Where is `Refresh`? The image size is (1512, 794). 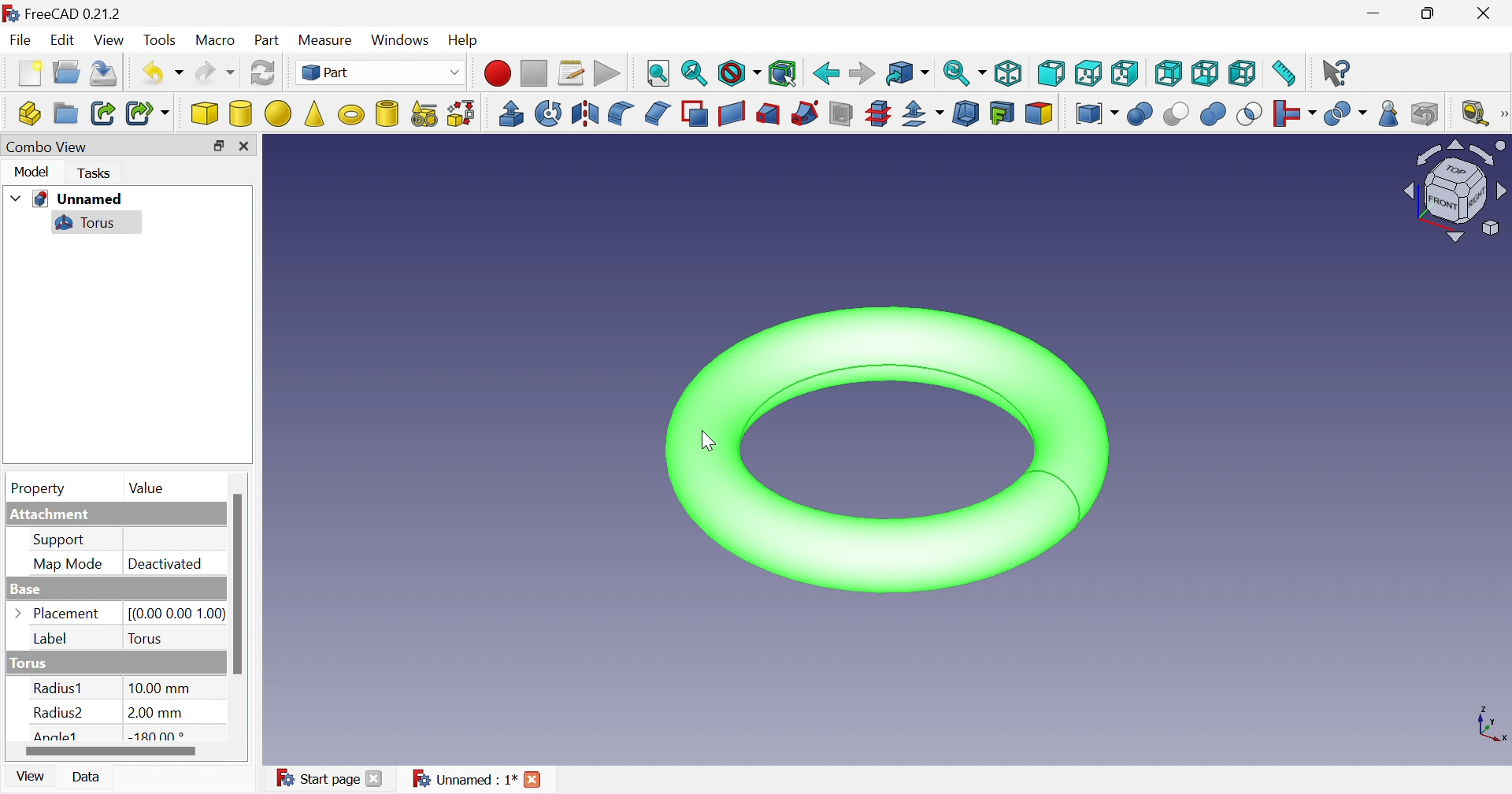 Refresh is located at coordinates (263, 72).